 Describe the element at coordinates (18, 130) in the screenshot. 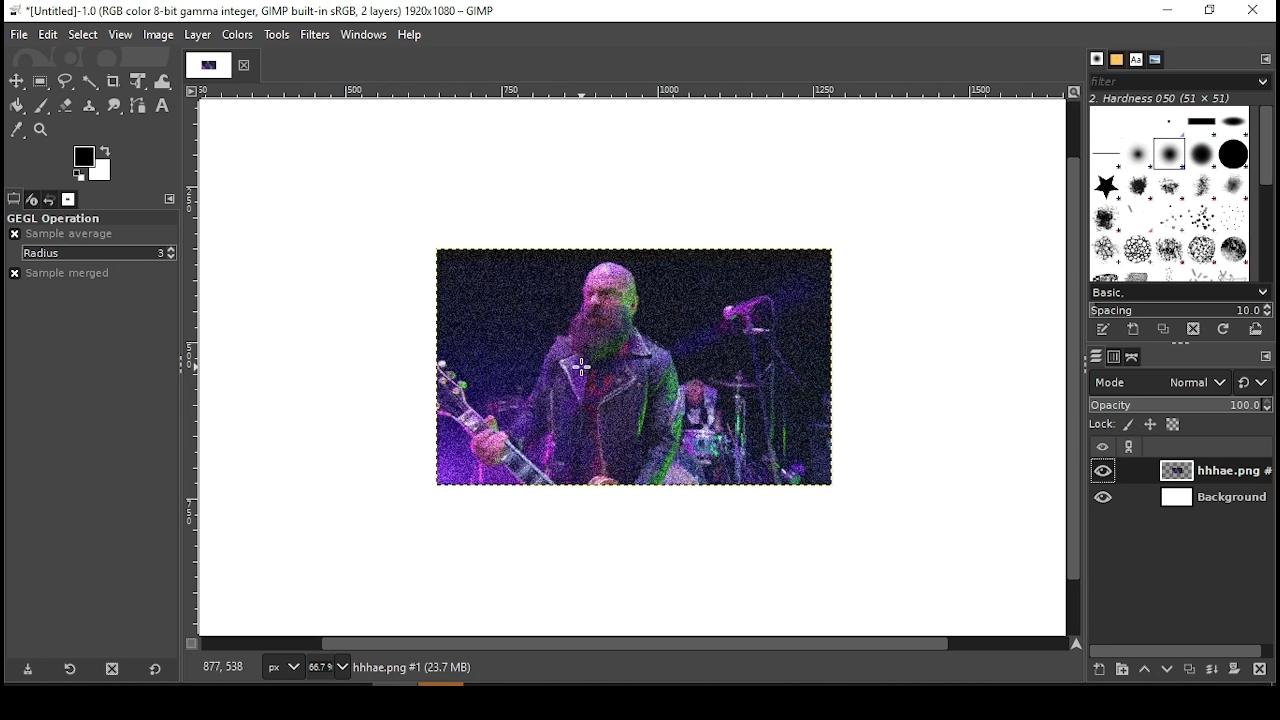

I see `color picker tool` at that location.